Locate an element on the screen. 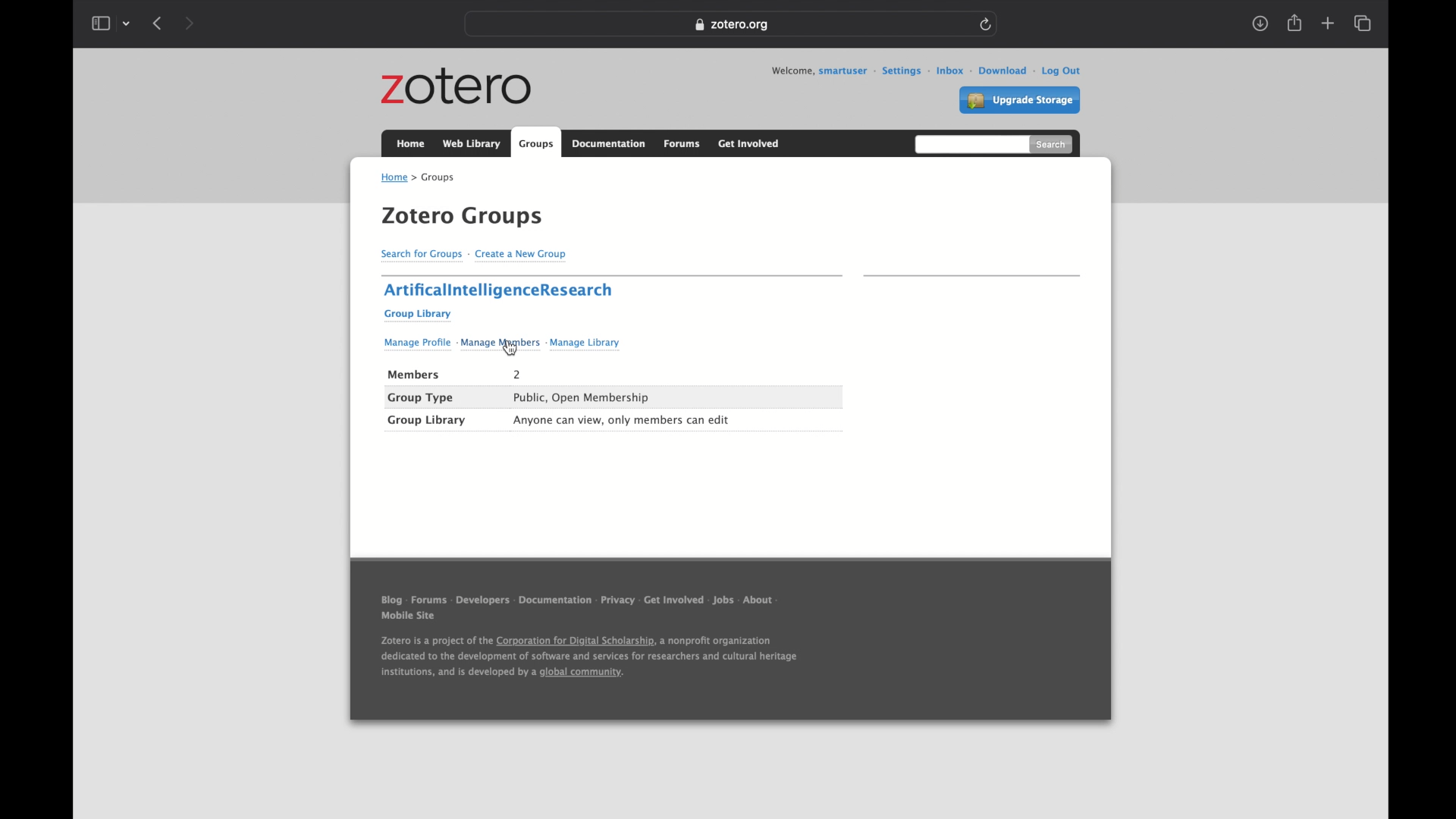  anyone can view, only members can edit is located at coordinates (623, 420).